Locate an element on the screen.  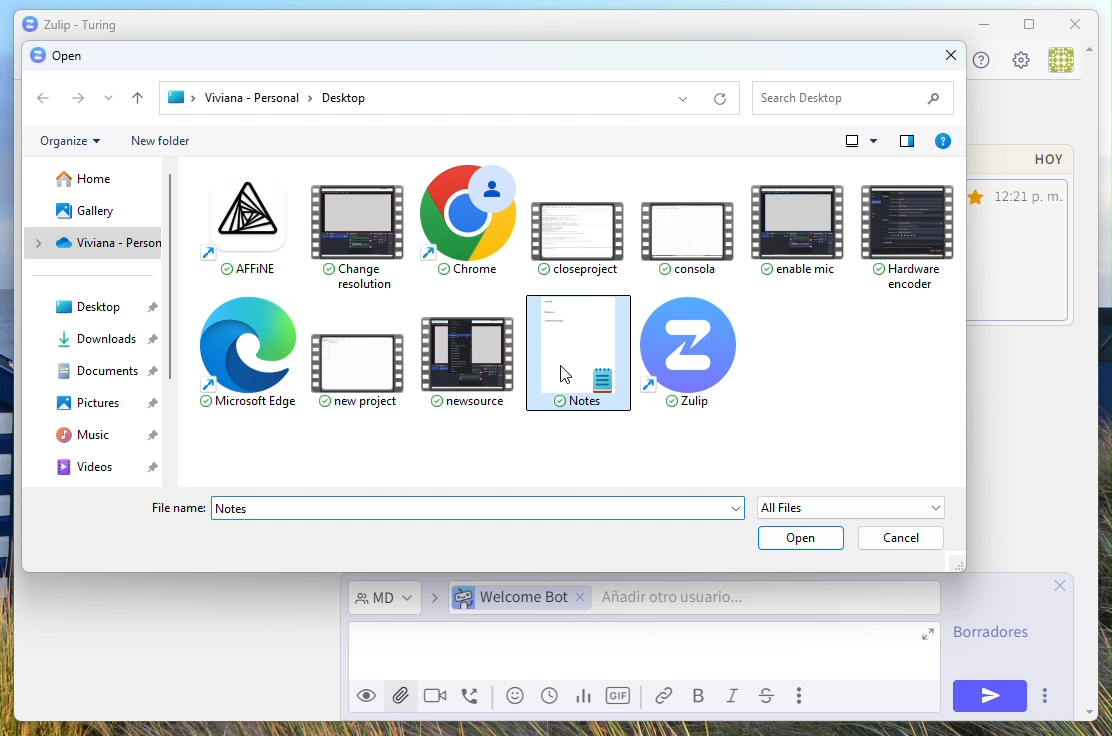
direct messages is located at coordinates (385, 599).